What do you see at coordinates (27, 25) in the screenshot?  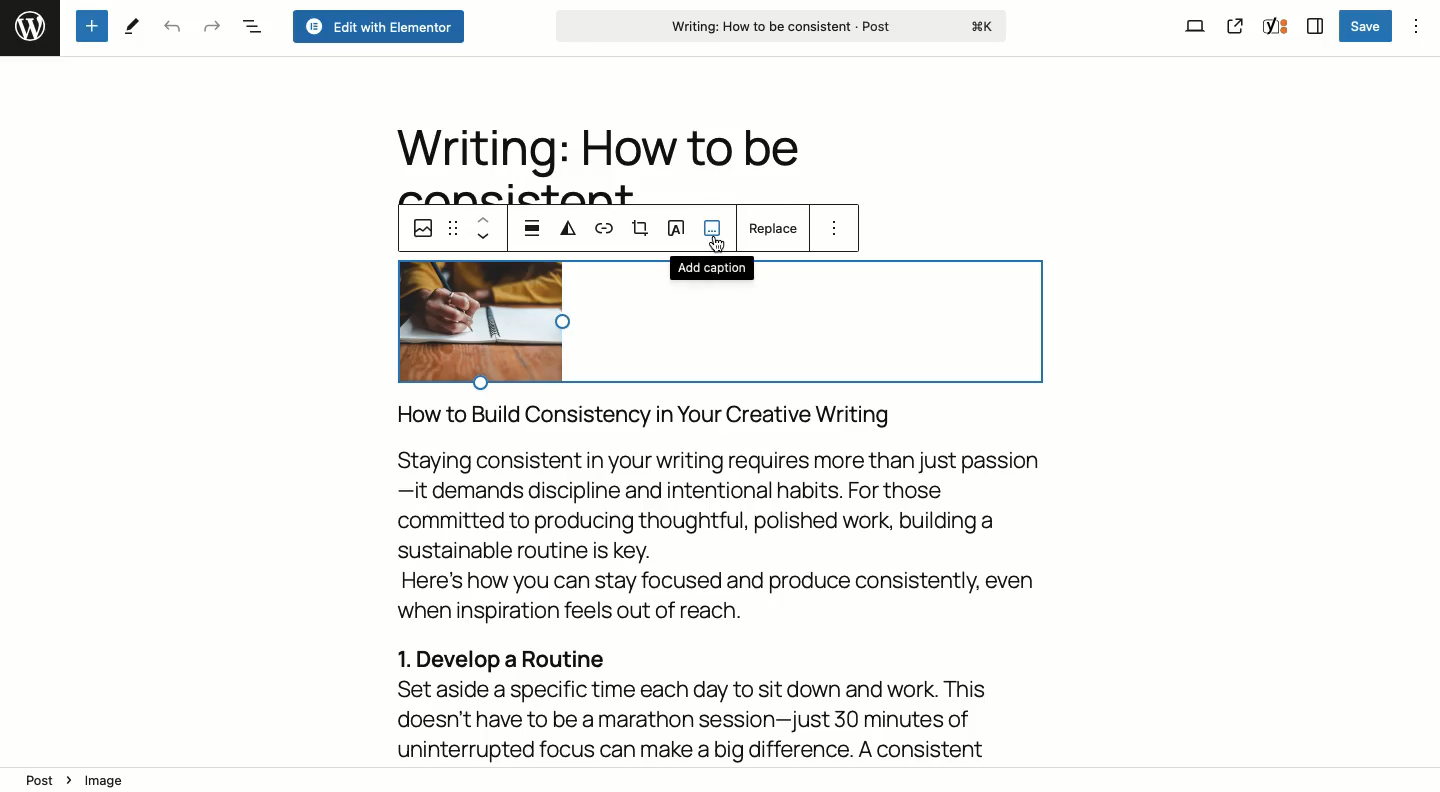 I see `Logo` at bounding box center [27, 25].